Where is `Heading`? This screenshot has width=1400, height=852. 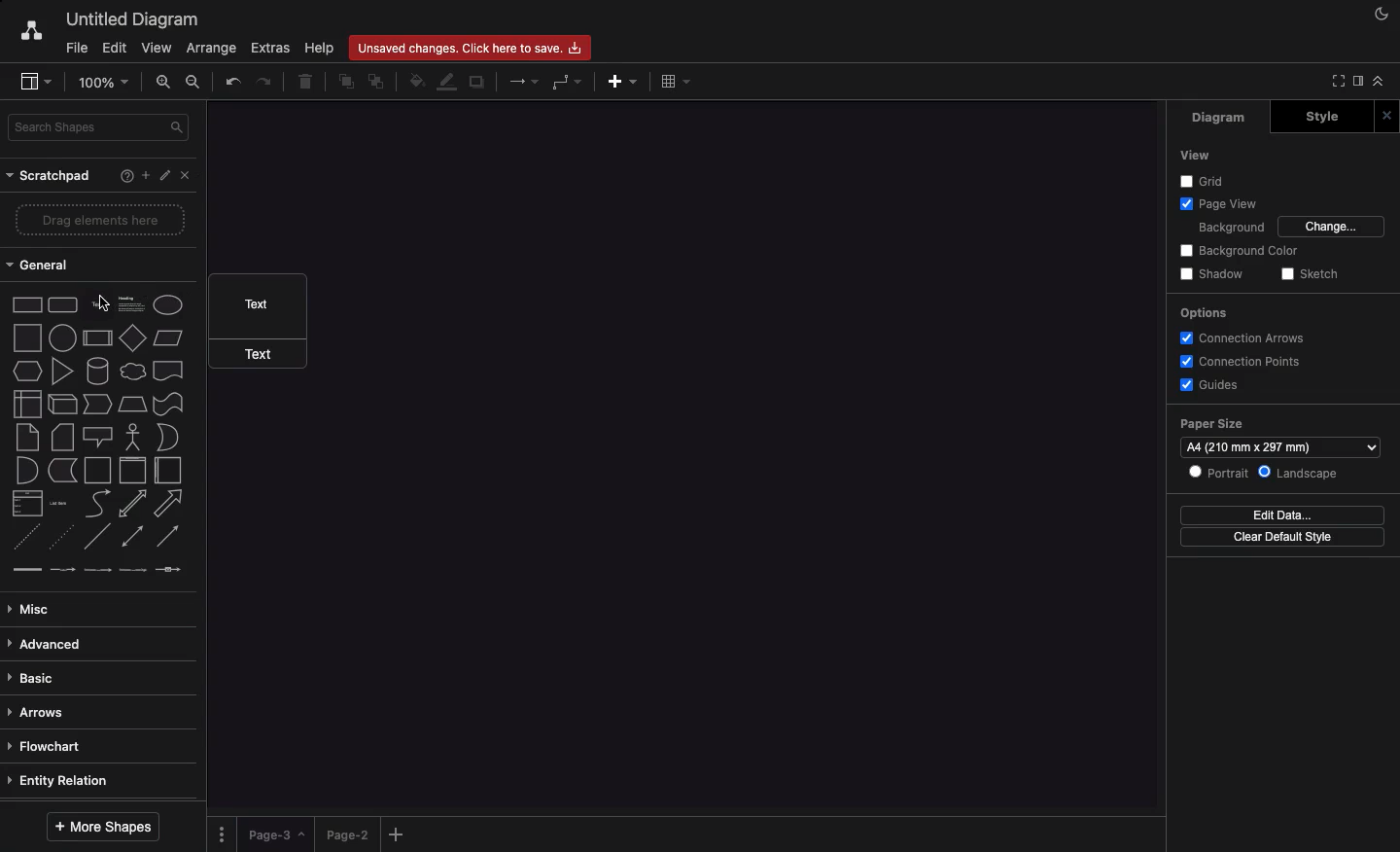 Heading is located at coordinates (133, 302).